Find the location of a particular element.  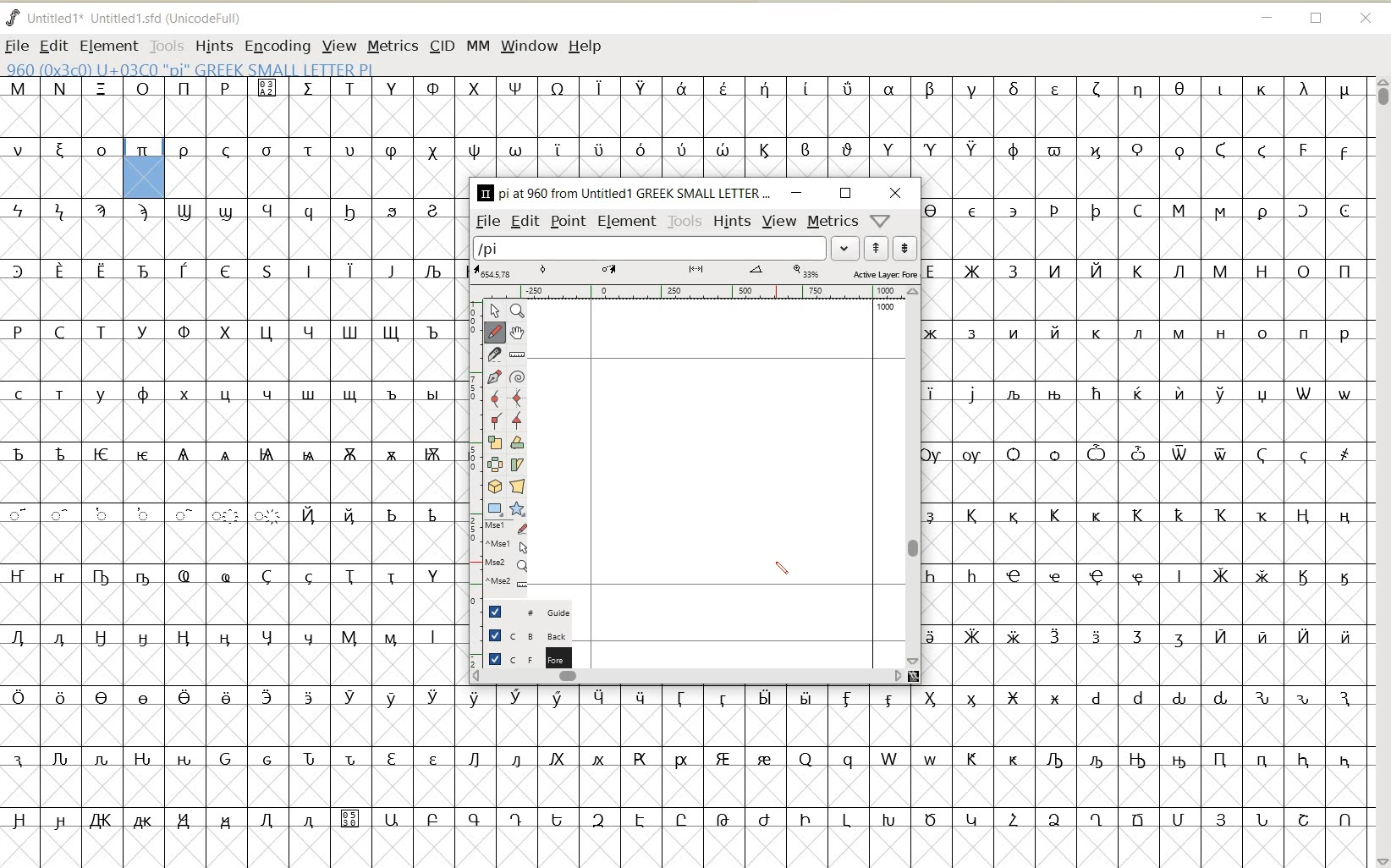

MM is located at coordinates (477, 45).